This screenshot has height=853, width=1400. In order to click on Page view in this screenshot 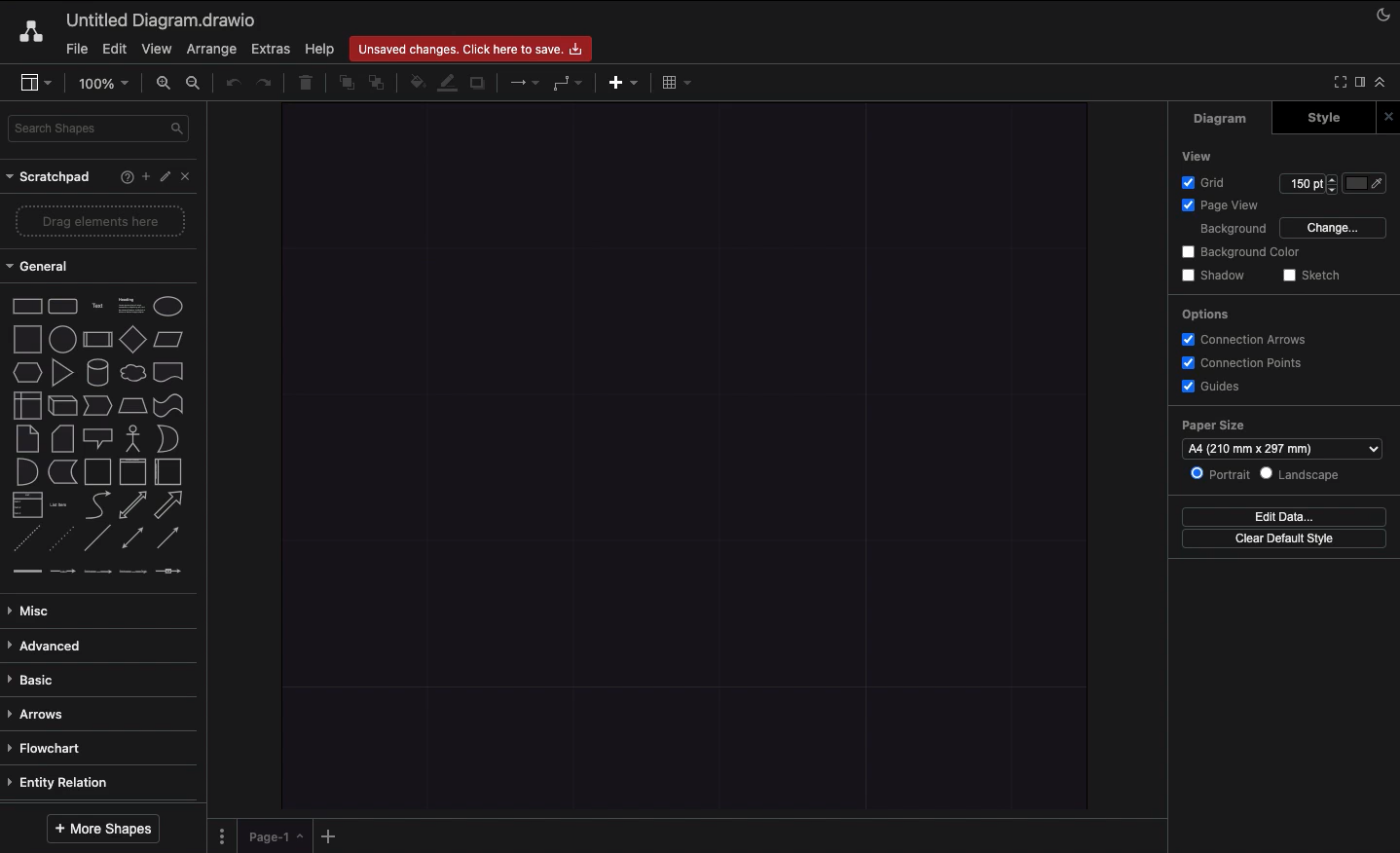, I will do `click(1221, 206)`.